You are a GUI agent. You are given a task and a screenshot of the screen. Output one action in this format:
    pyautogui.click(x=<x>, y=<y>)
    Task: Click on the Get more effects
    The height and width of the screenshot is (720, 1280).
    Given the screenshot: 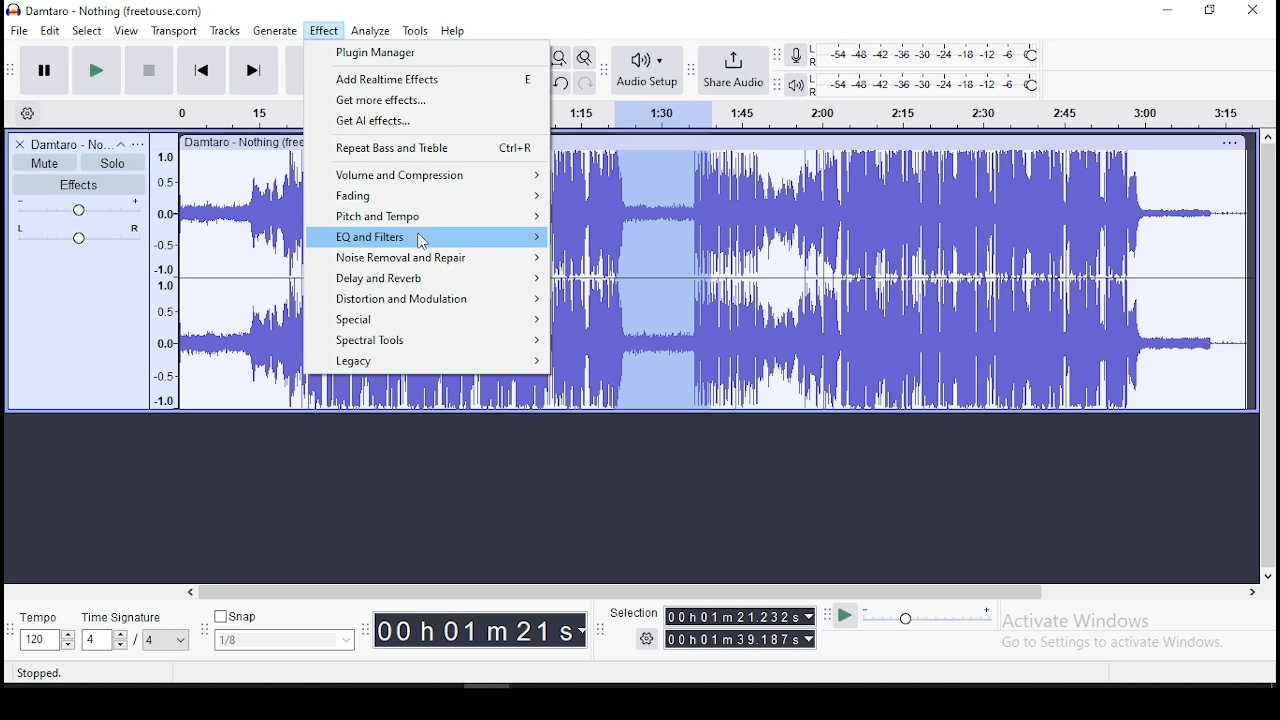 What is the action you would take?
    pyautogui.click(x=427, y=100)
    